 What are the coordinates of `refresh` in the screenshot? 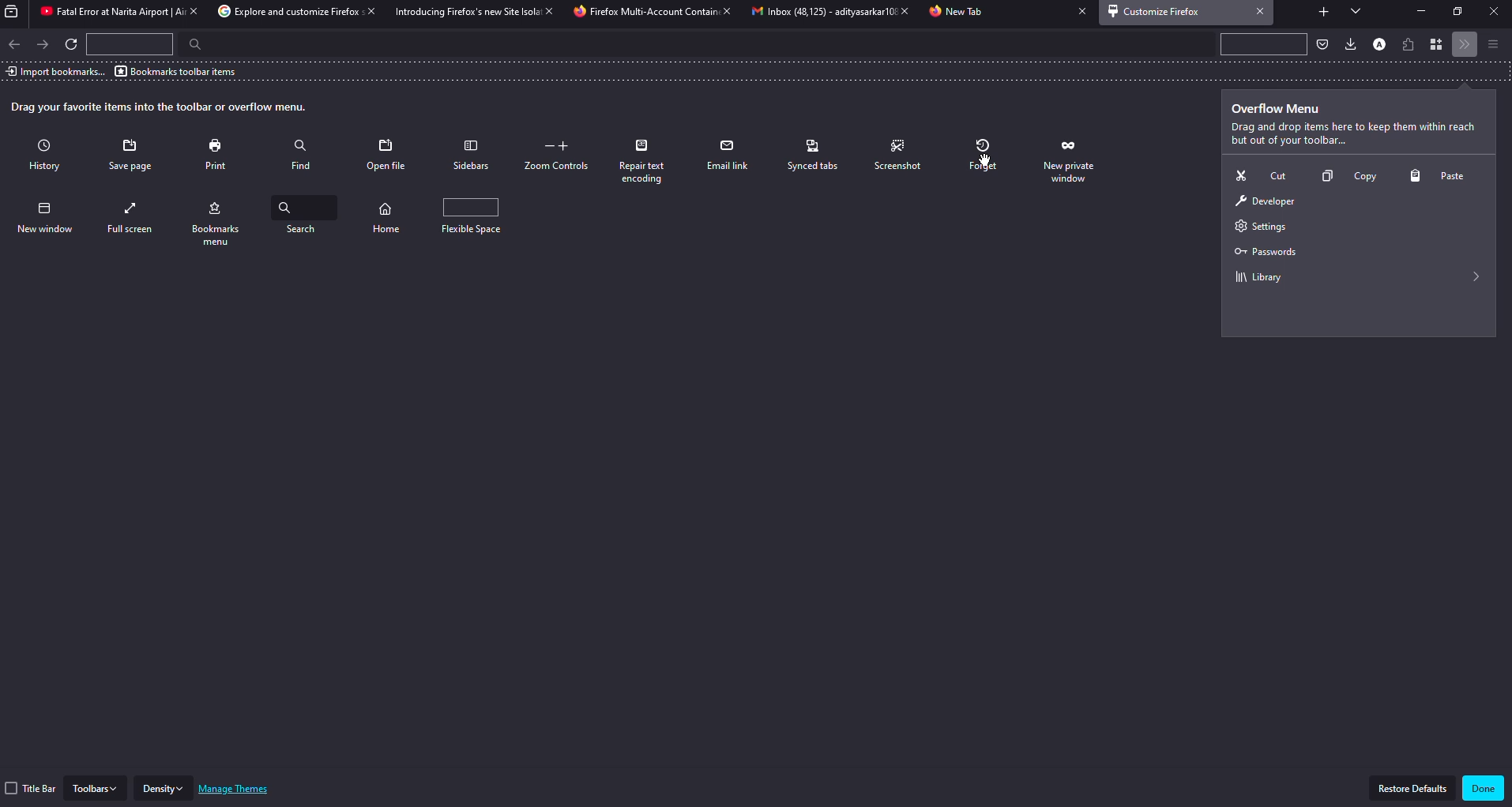 It's located at (73, 46).